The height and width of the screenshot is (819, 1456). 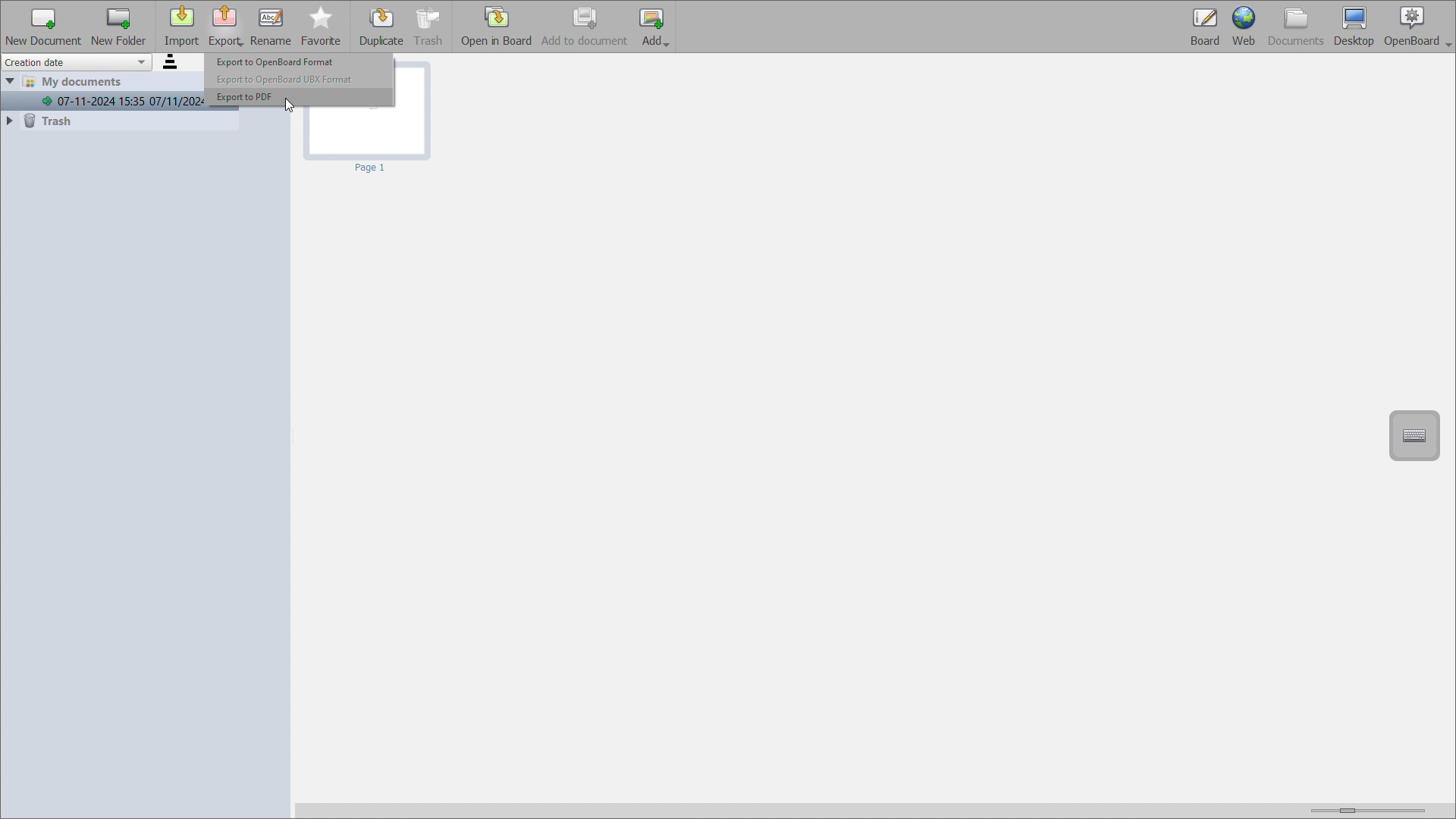 What do you see at coordinates (1414, 435) in the screenshot?
I see `virtual keyboard` at bounding box center [1414, 435].